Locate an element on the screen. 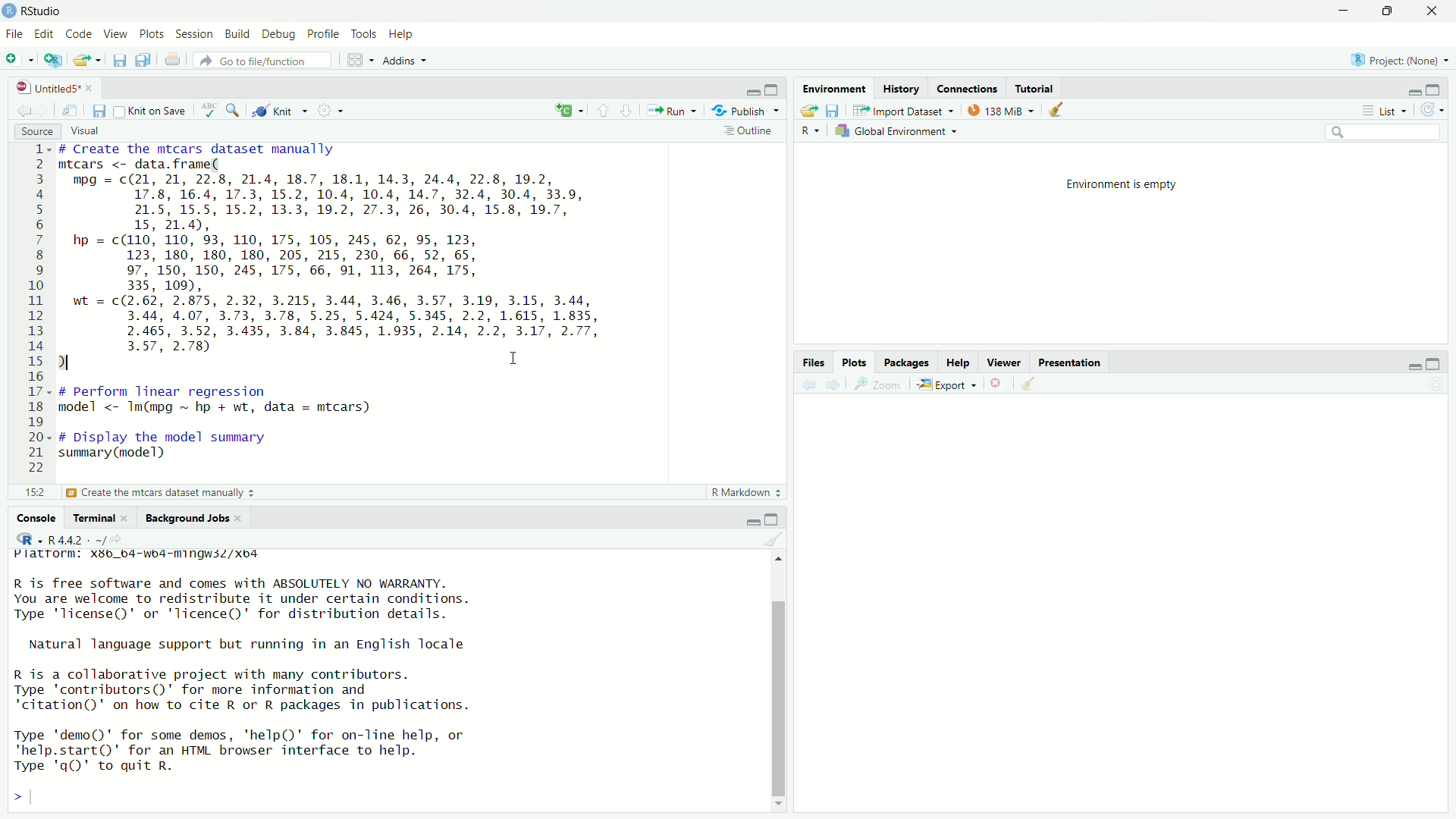 The image size is (1456, 819). minimize is located at coordinates (750, 93).